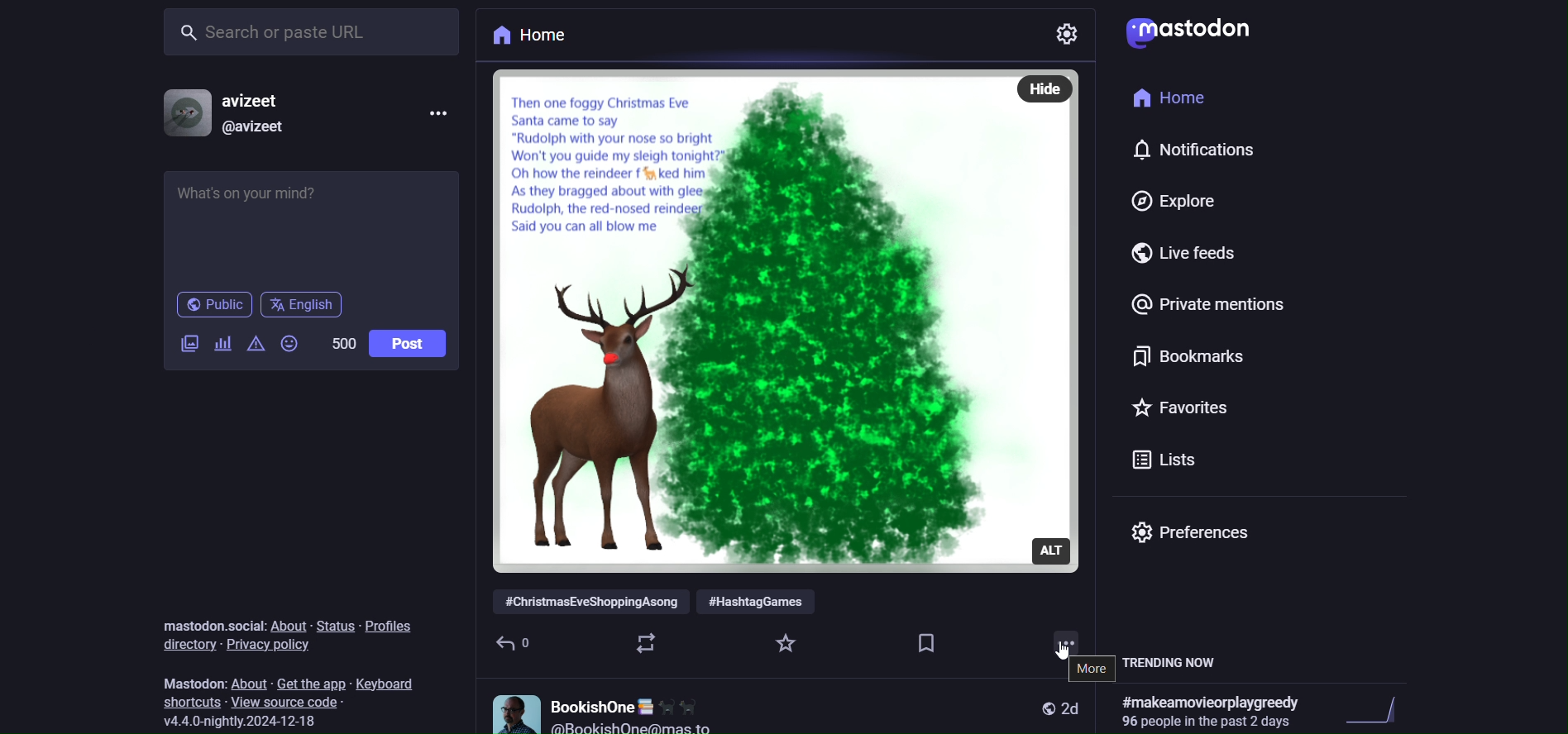 This screenshot has height=734, width=1568. I want to click on mastodon, so click(189, 679).